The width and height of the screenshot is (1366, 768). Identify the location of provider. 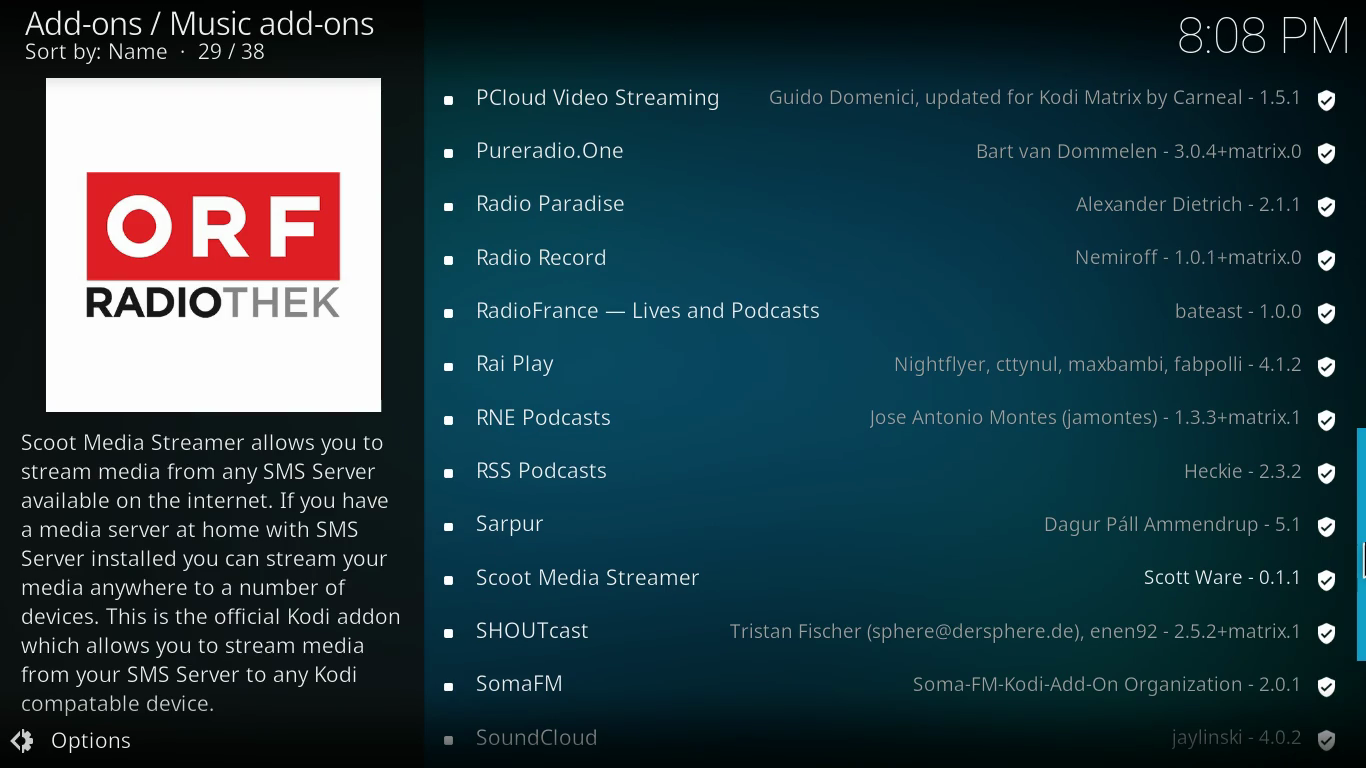
(1060, 96).